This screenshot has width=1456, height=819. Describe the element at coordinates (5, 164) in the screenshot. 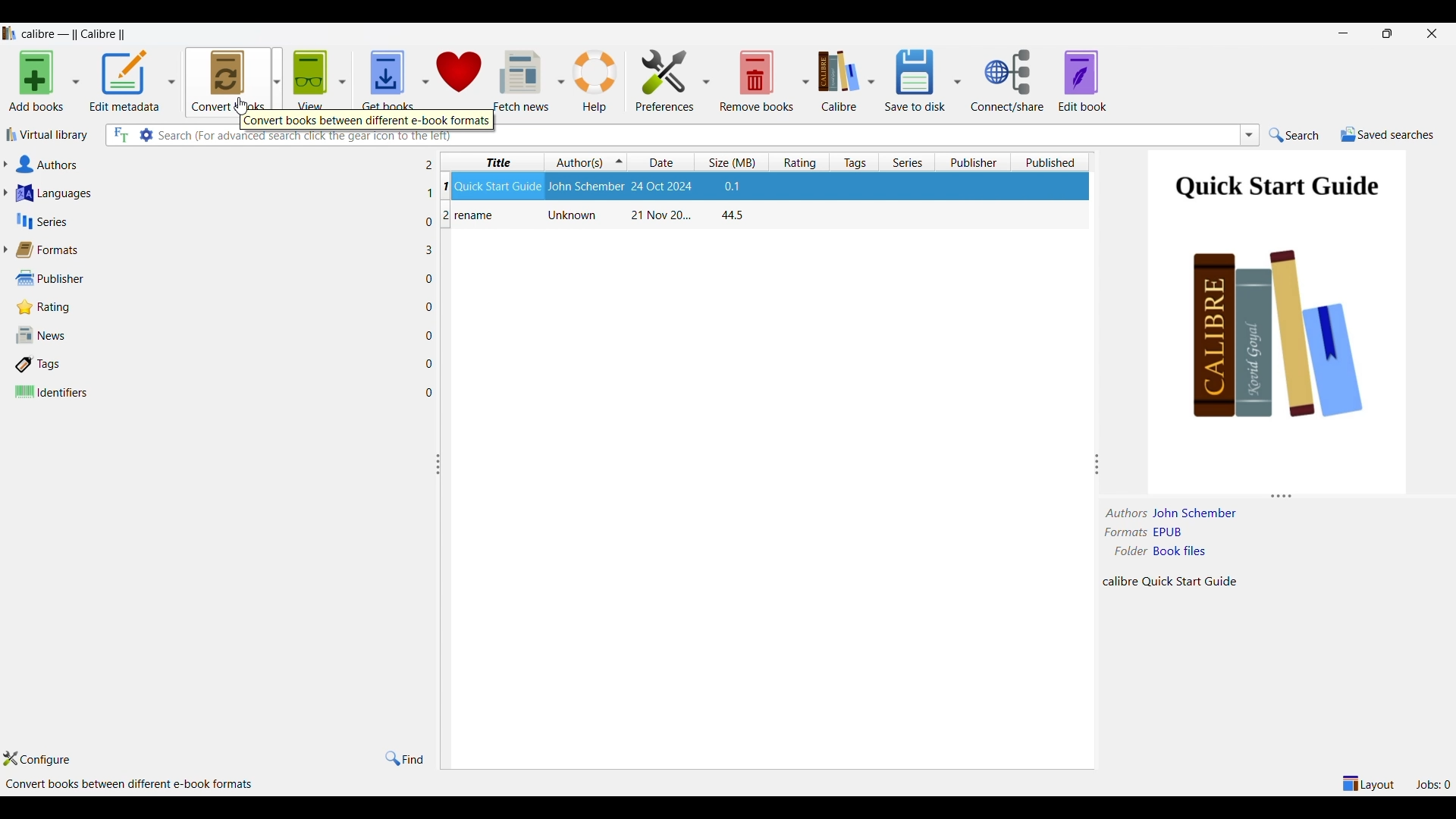

I see `Expand authors` at that location.